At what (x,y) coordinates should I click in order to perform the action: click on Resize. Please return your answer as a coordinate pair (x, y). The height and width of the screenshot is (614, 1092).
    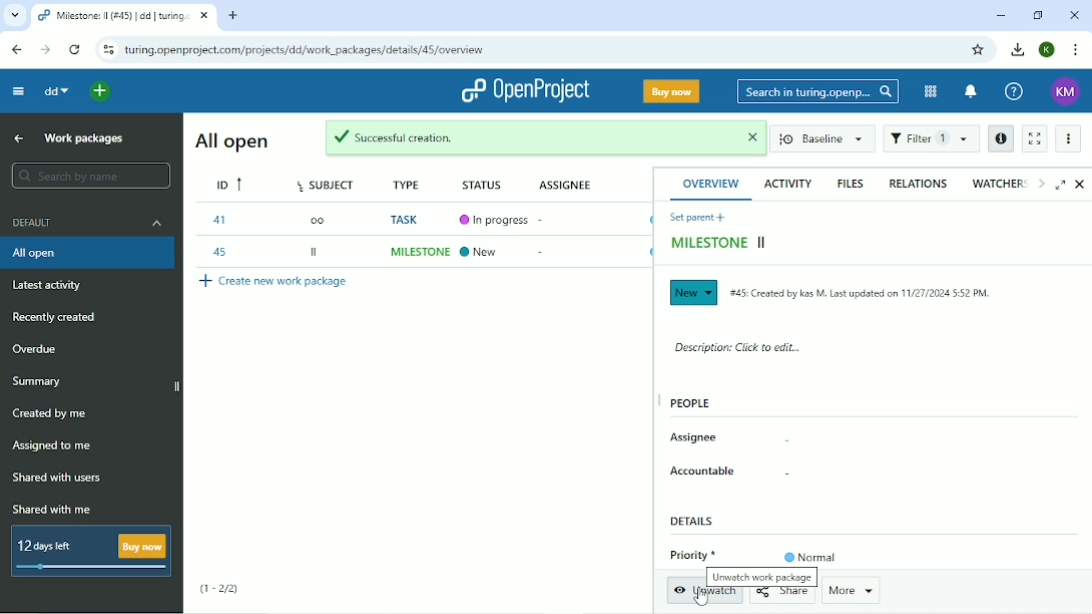
    Looking at the image, I should click on (658, 400).